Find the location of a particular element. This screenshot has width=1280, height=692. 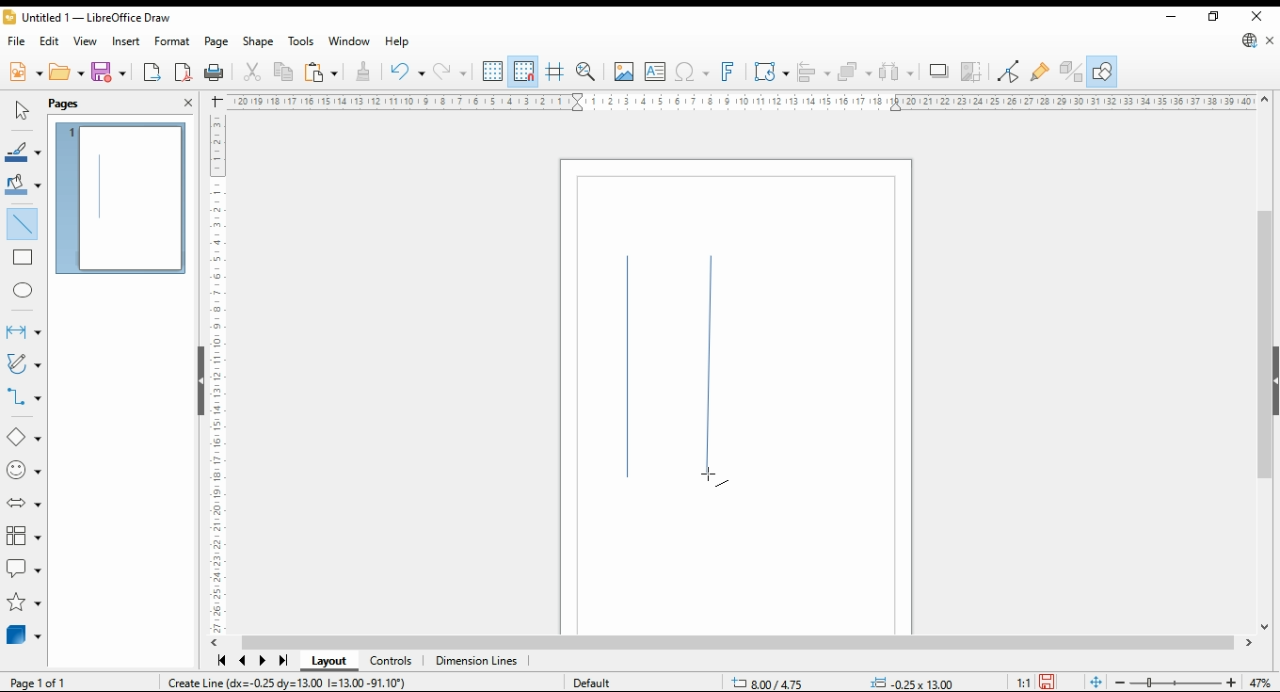

symbol shapes is located at coordinates (25, 471).